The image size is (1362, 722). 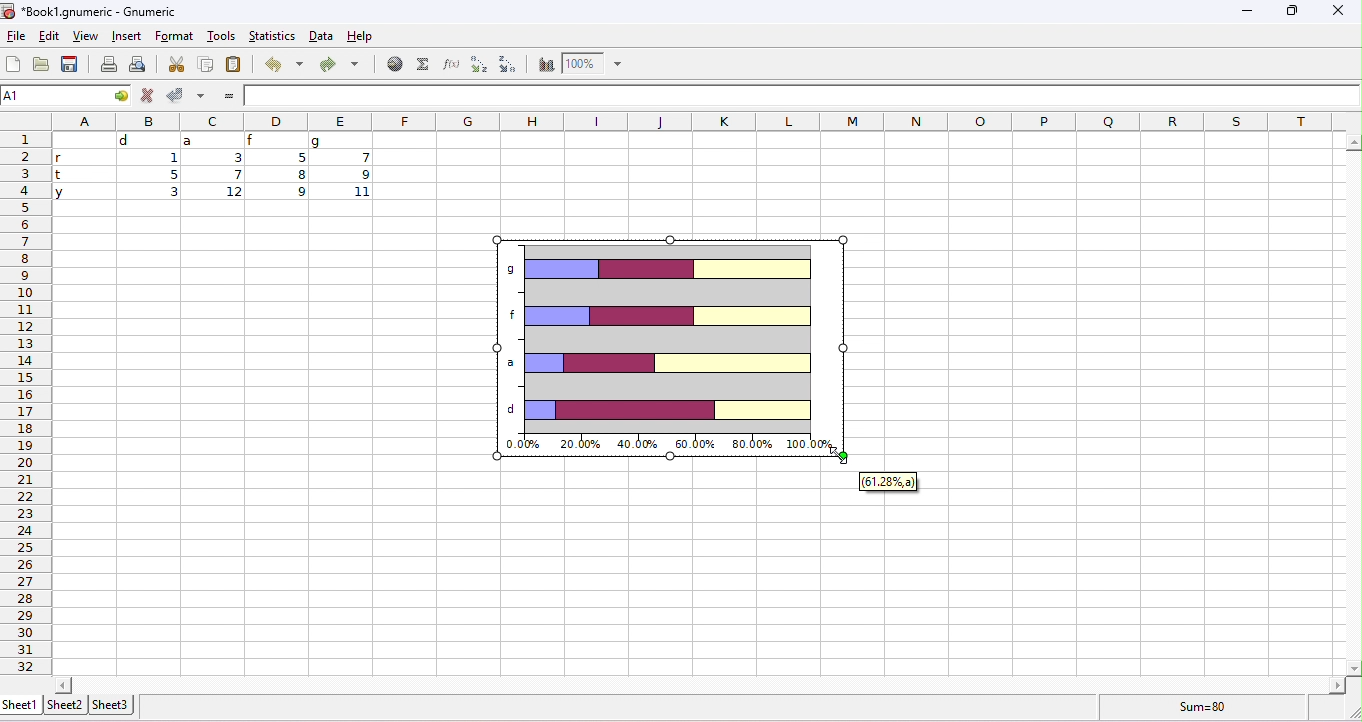 I want to click on column headings, so click(x=693, y=121).